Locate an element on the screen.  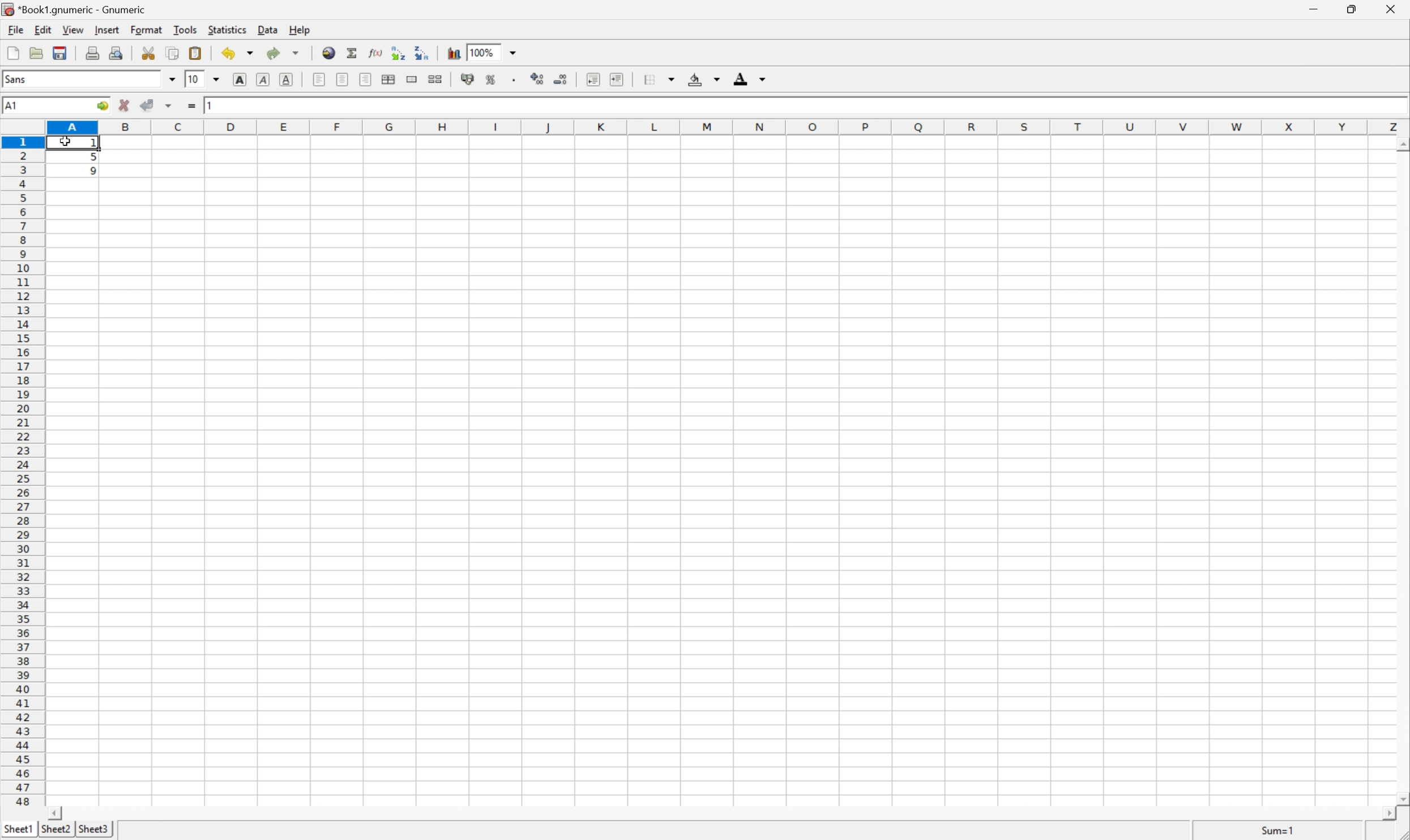
align right is located at coordinates (367, 79).